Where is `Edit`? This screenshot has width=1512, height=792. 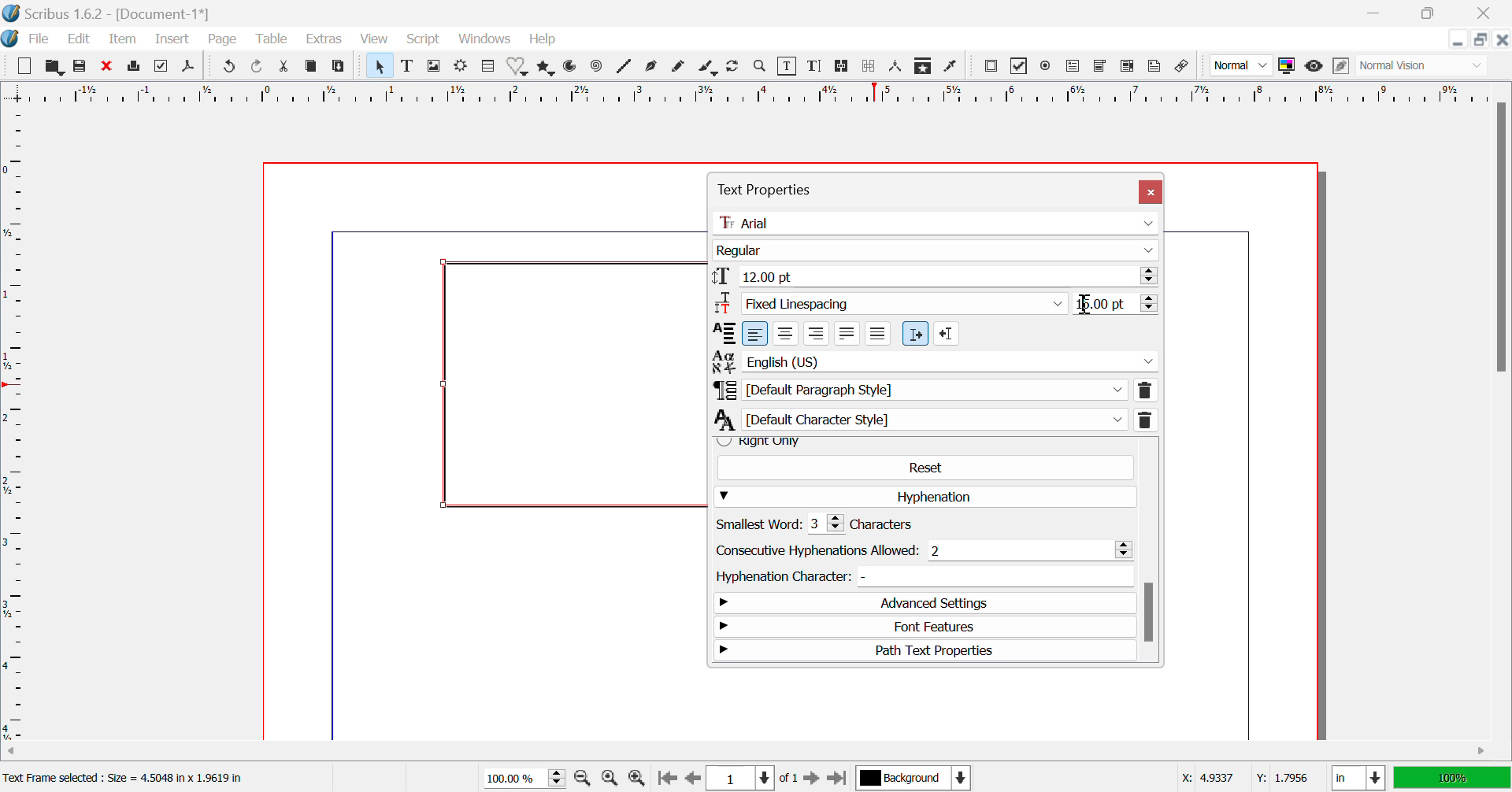
Edit is located at coordinates (81, 41).